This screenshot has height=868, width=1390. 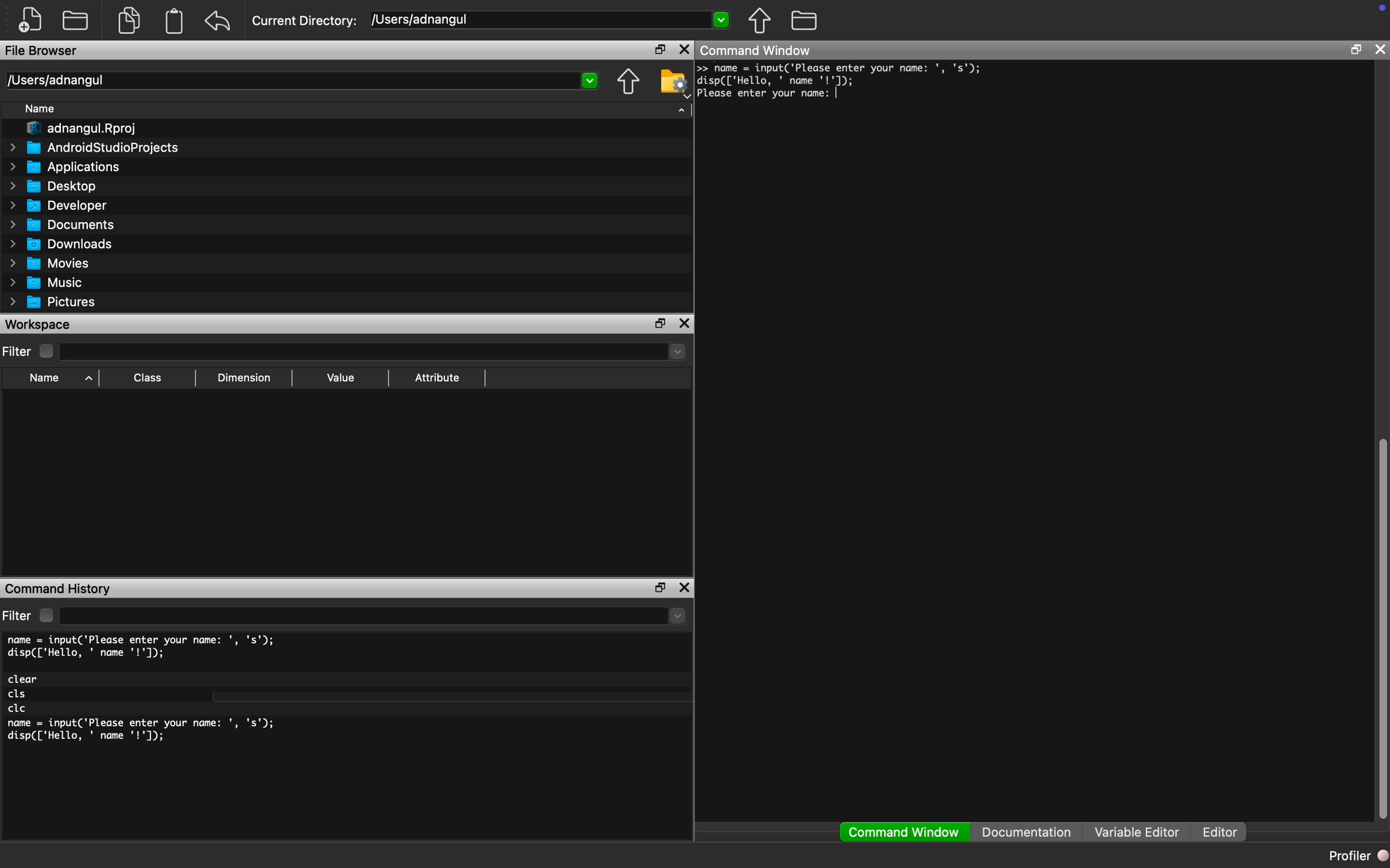 What do you see at coordinates (658, 48) in the screenshot?
I see `maximize` at bounding box center [658, 48].